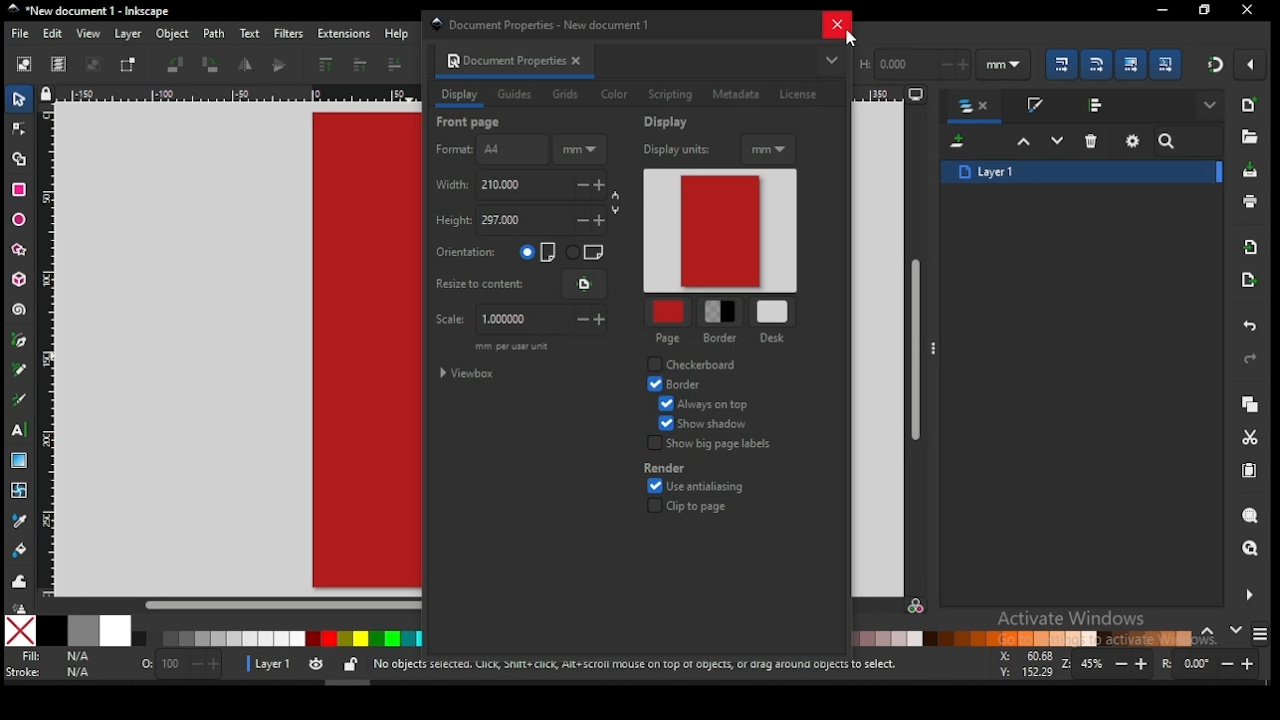 This screenshot has width=1280, height=720. What do you see at coordinates (1247, 595) in the screenshot?
I see `more settings` at bounding box center [1247, 595].